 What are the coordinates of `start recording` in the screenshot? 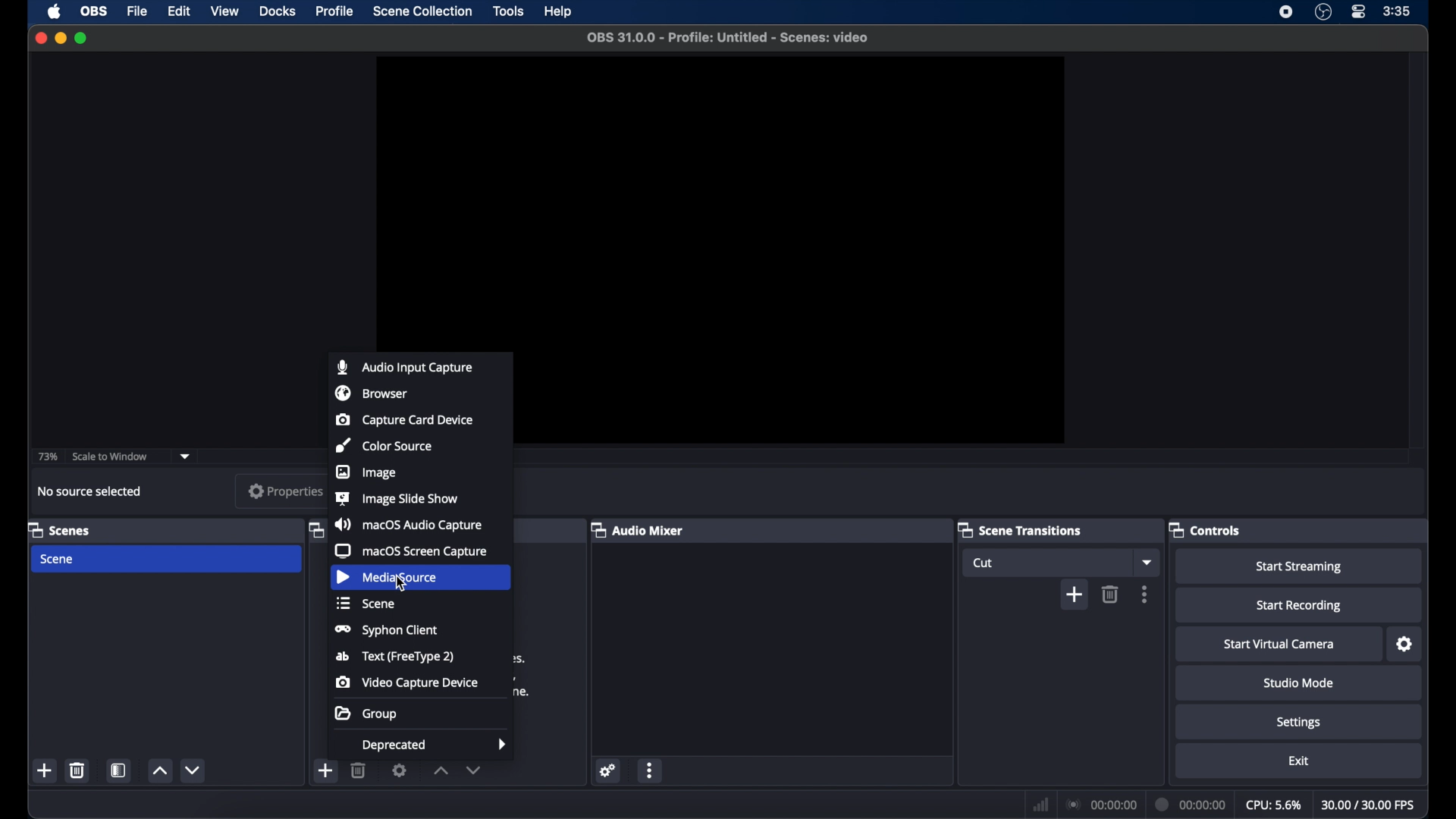 It's located at (1300, 607).